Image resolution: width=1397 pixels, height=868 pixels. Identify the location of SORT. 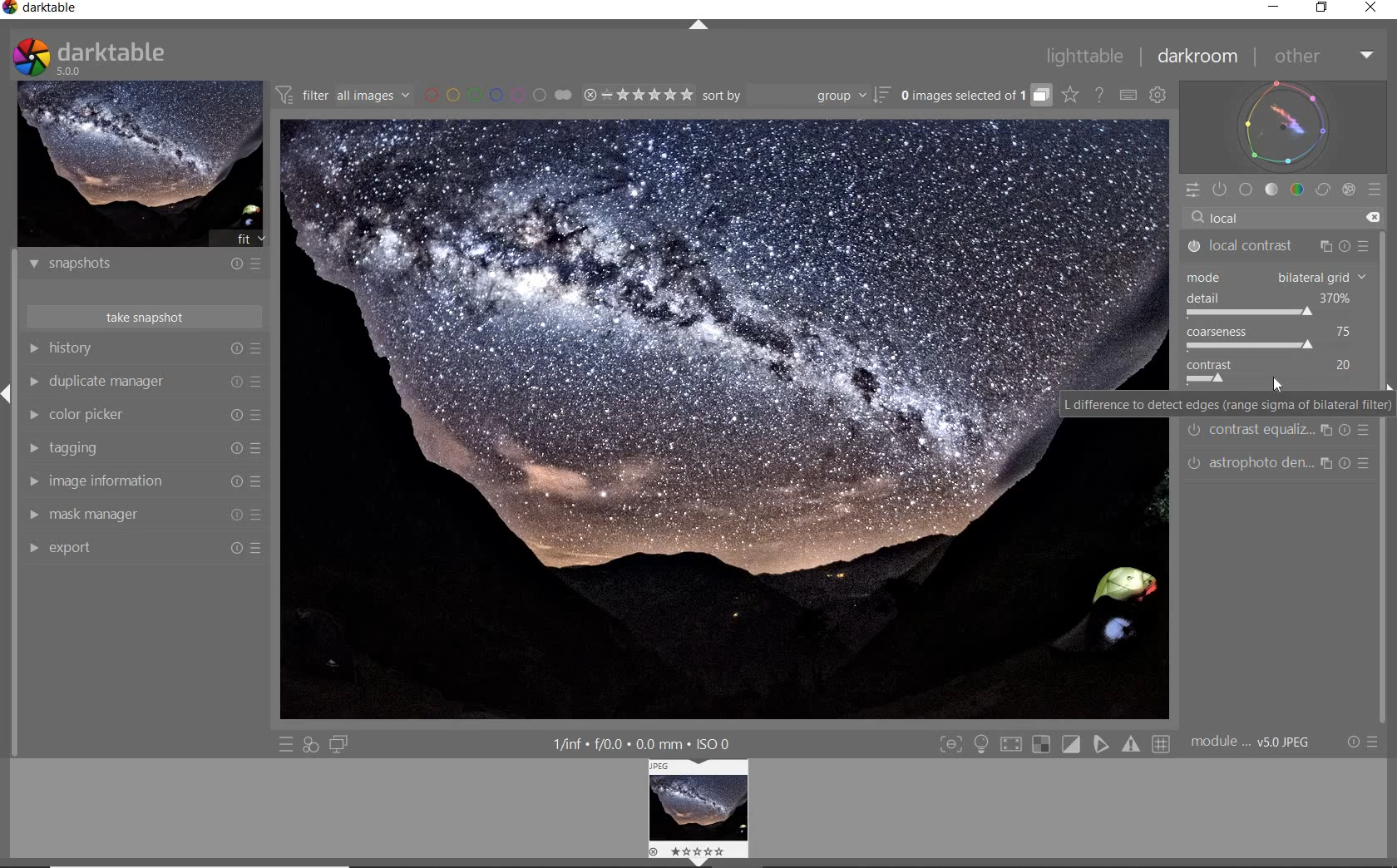
(784, 96).